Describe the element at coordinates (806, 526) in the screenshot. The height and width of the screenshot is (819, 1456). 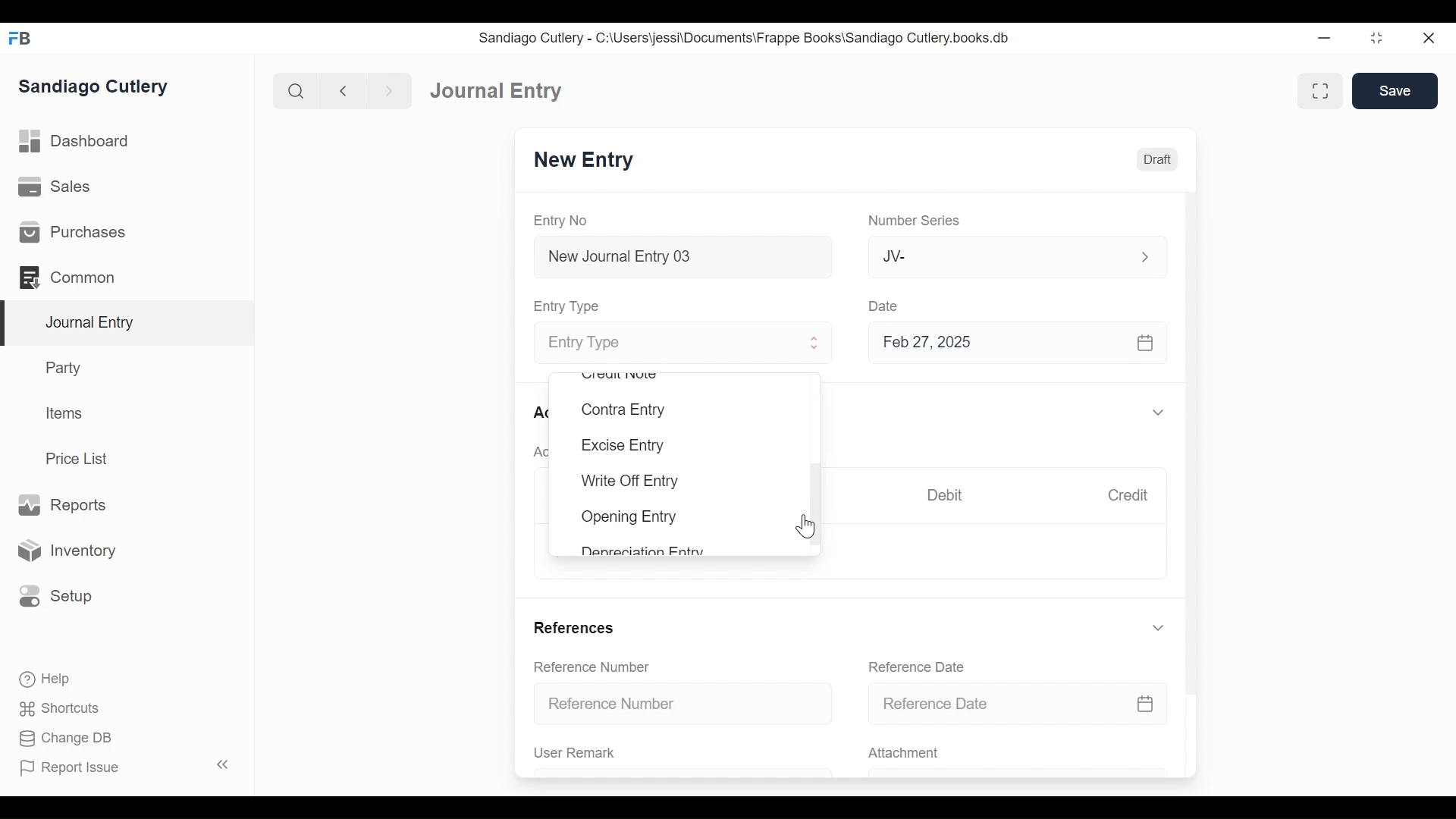
I see `Cursor` at that location.